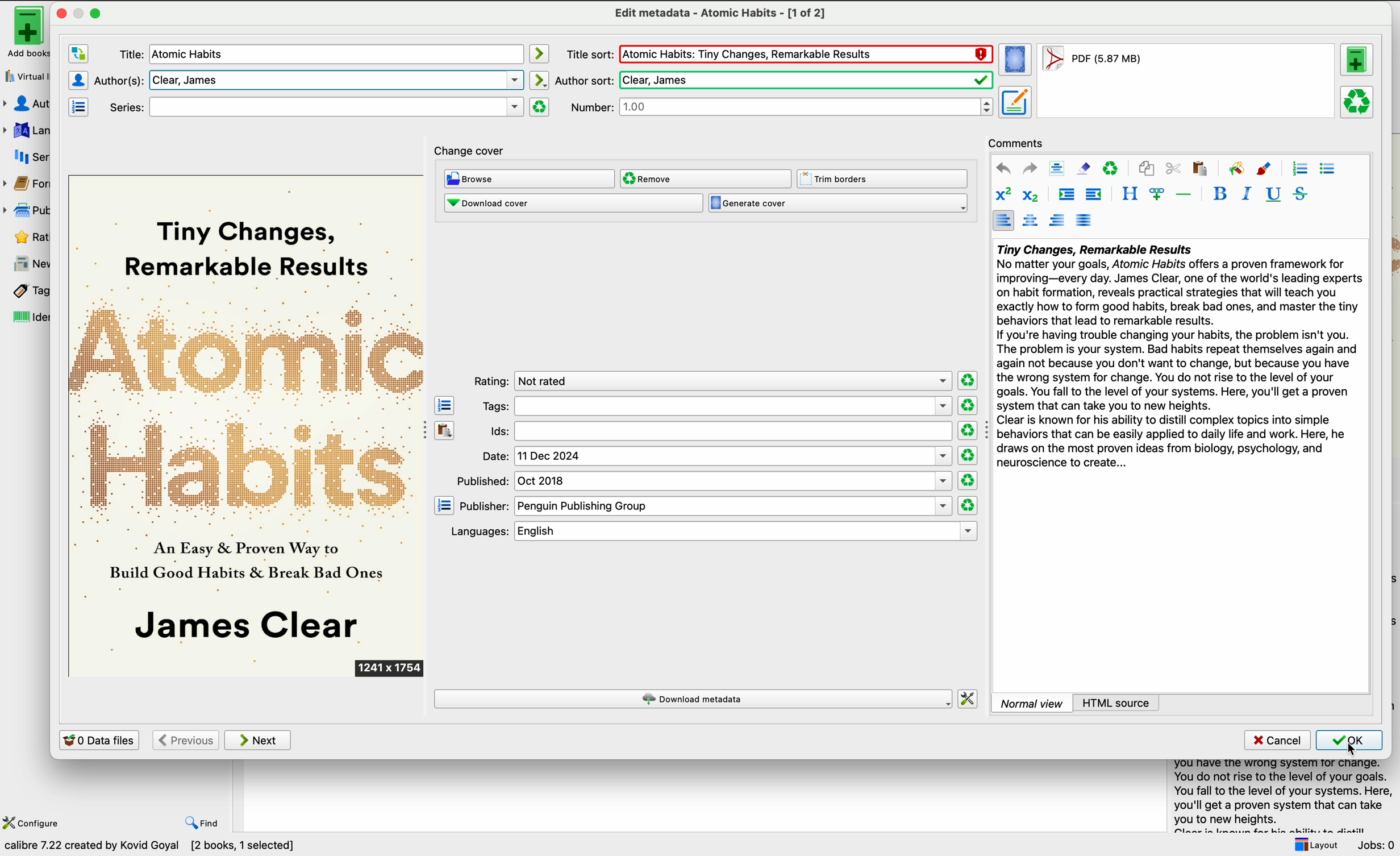 The width and height of the screenshot is (1400, 856). I want to click on normal view, so click(1032, 703).